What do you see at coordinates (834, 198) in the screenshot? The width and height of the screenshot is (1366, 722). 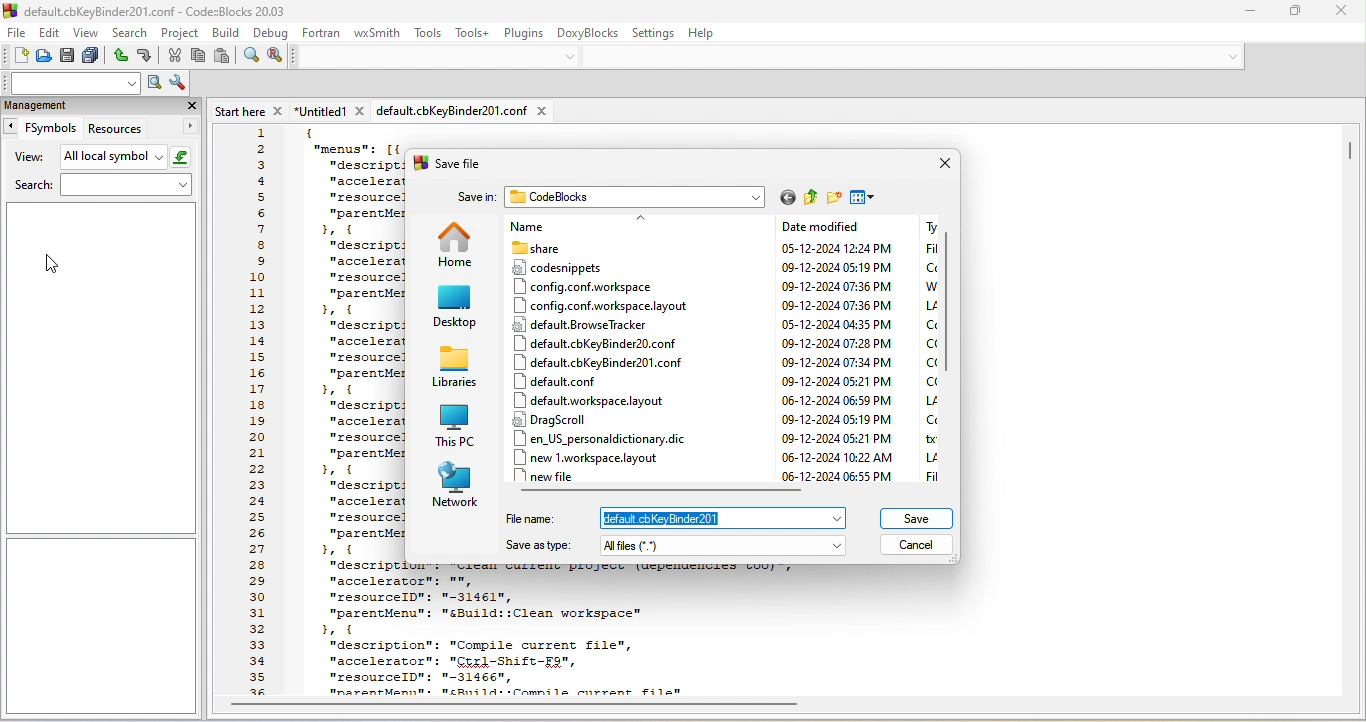 I see `create new folder` at bounding box center [834, 198].